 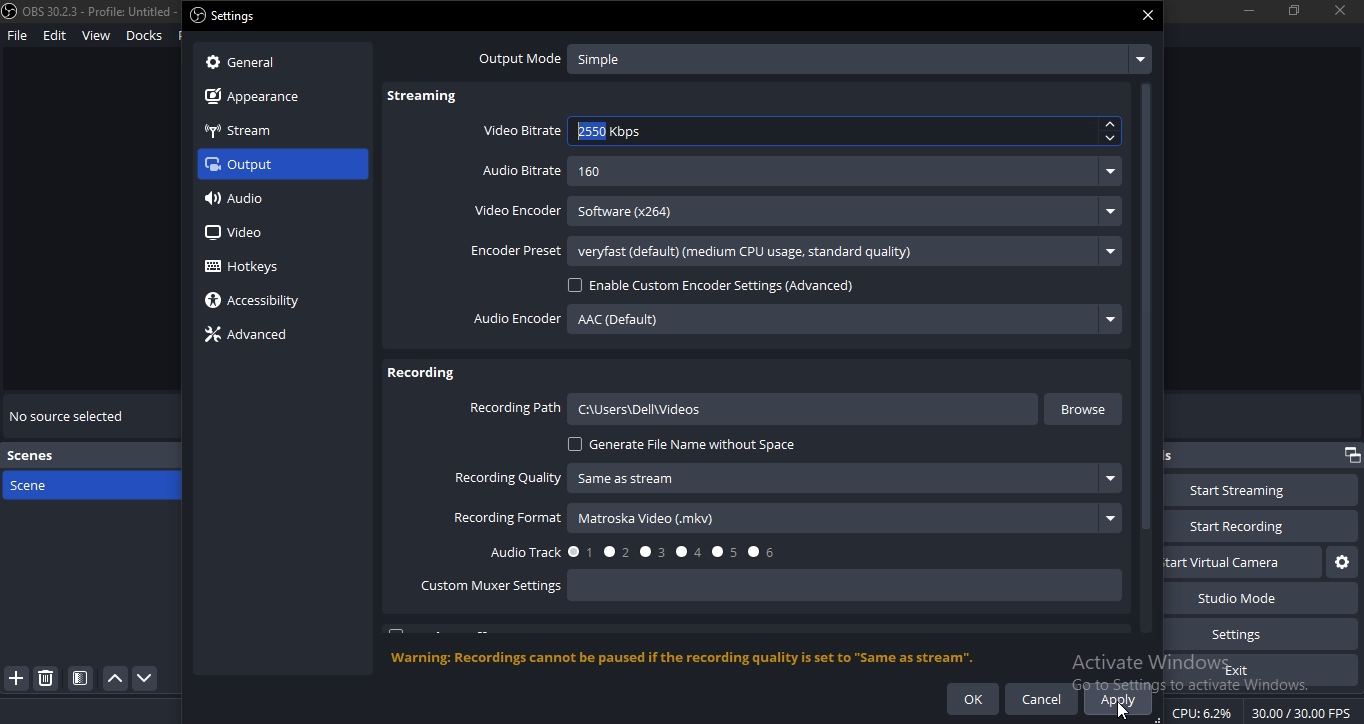 I want to click on generate file name without space, so click(x=685, y=446).